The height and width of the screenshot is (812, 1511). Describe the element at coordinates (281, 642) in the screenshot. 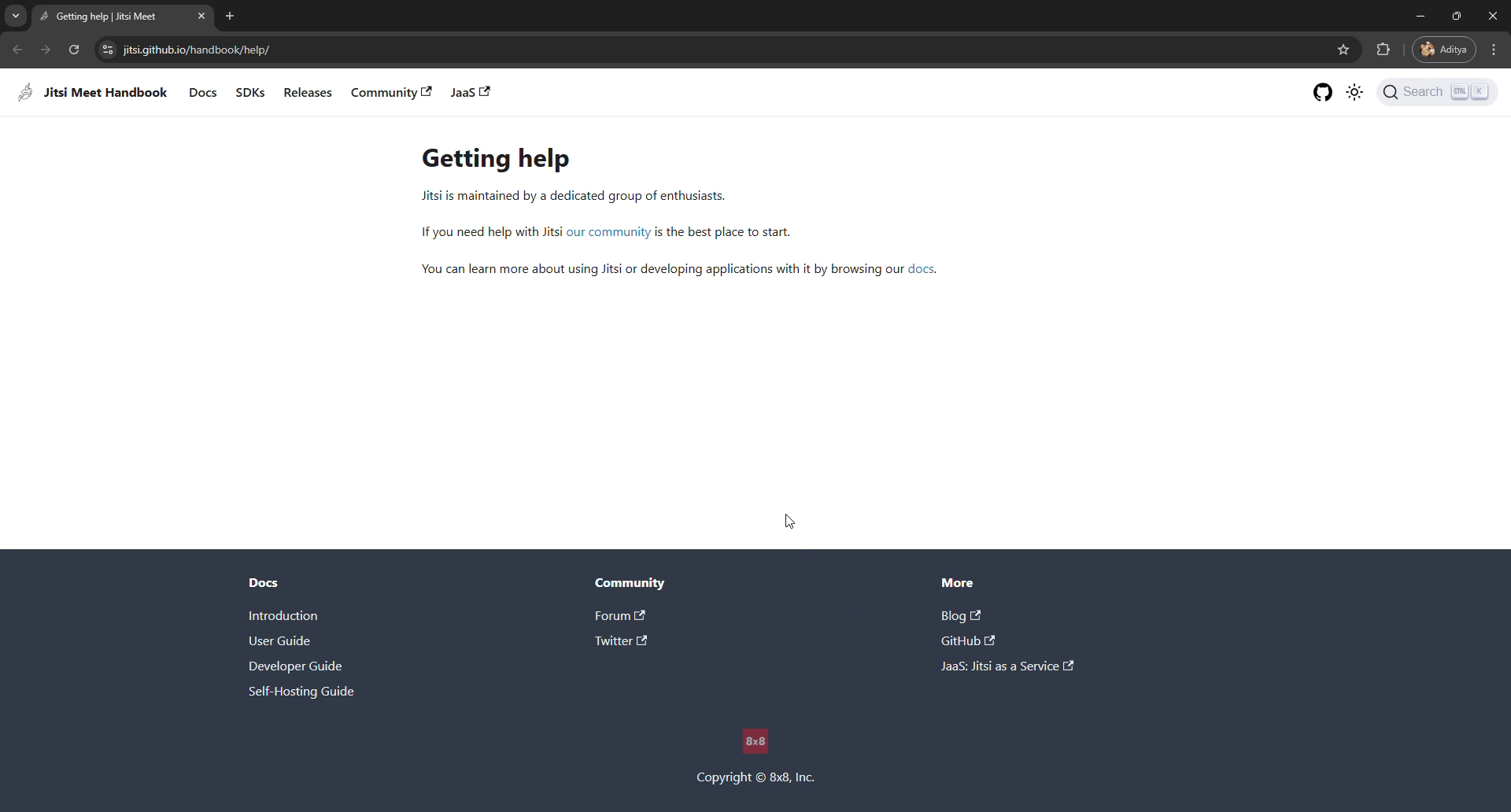

I see `guide` at that location.